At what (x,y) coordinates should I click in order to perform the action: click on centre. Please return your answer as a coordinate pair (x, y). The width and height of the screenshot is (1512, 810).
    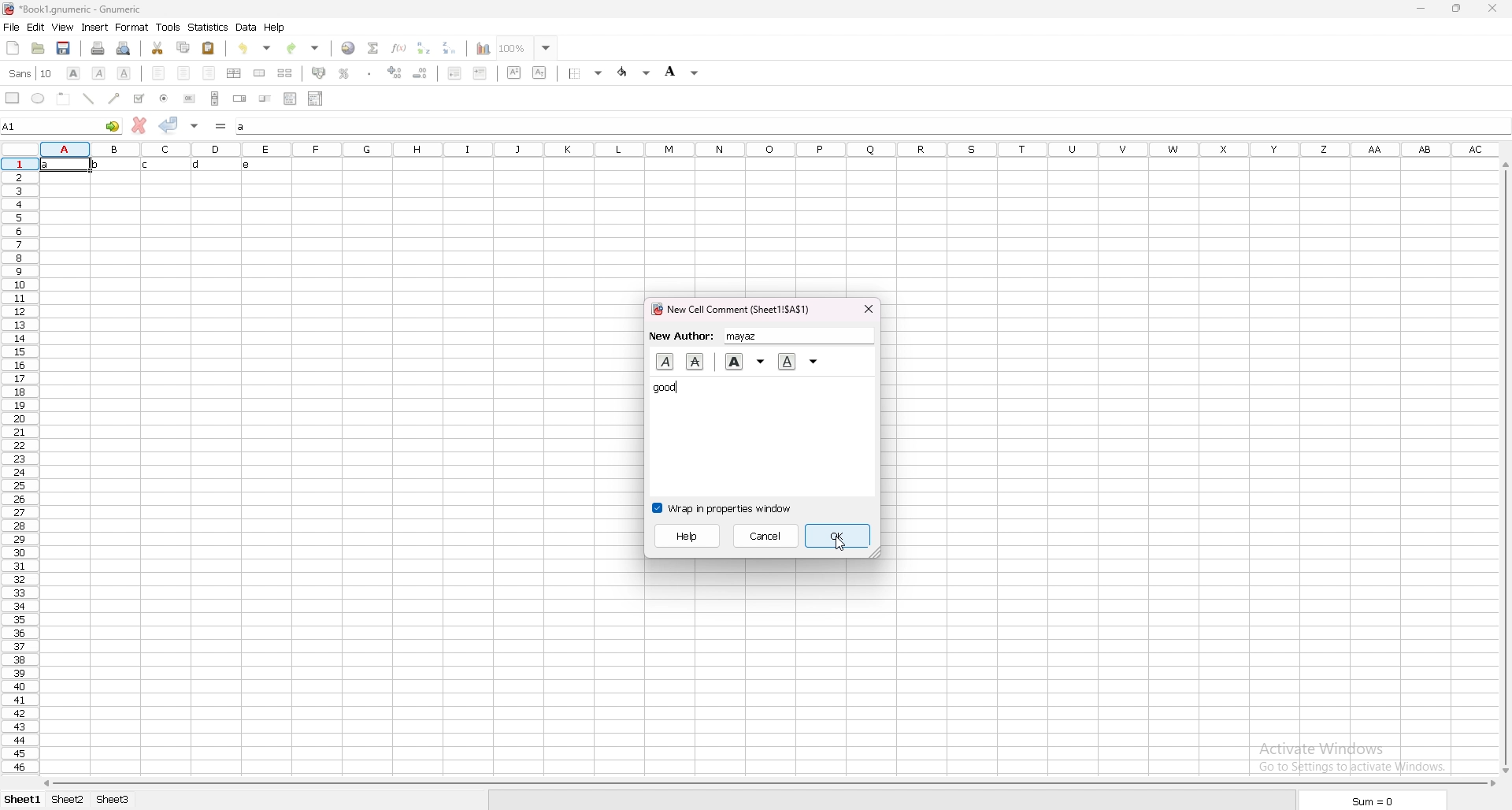
    Looking at the image, I should click on (183, 72).